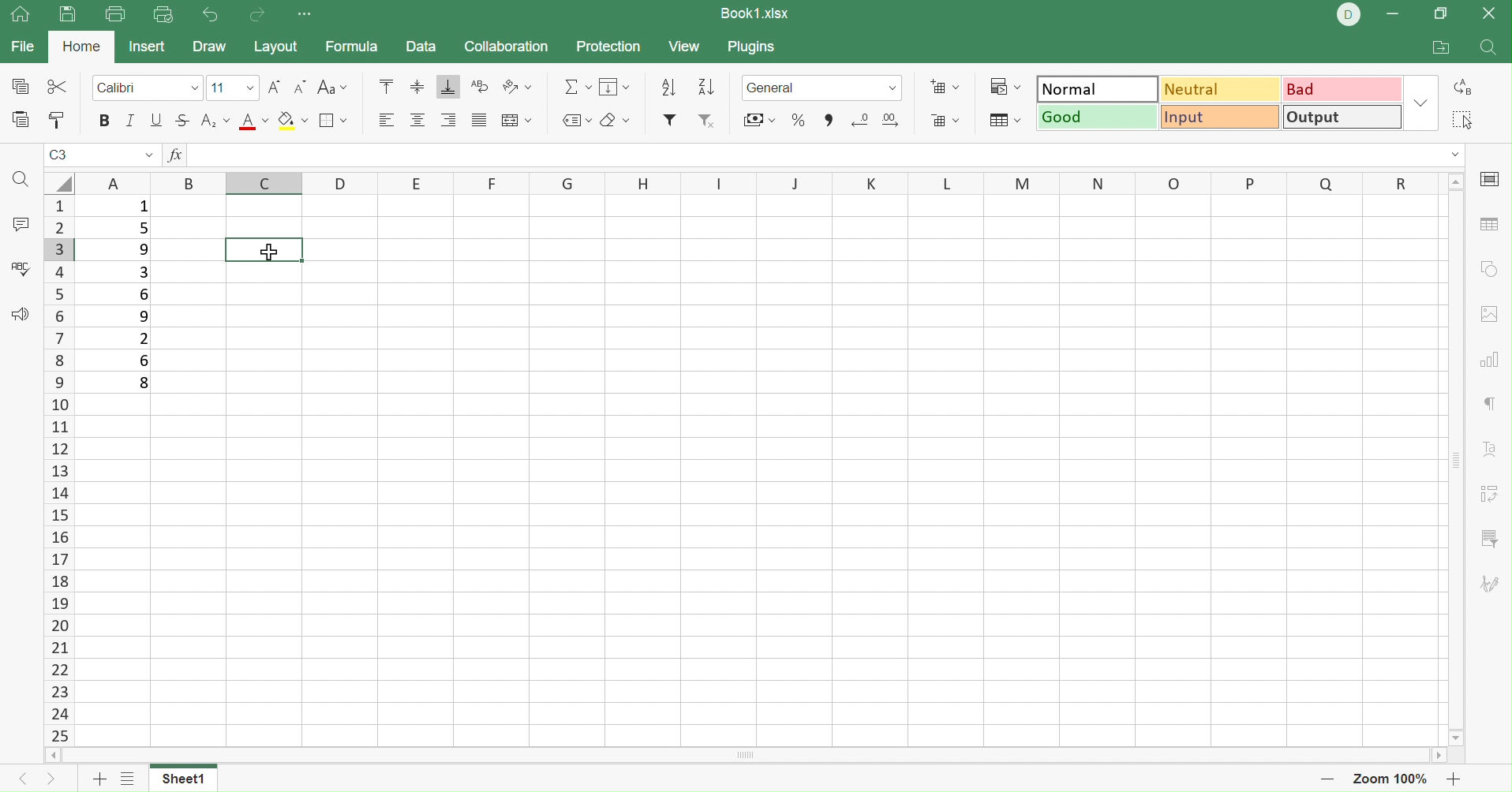 This screenshot has height=792, width=1512. What do you see at coordinates (507, 46) in the screenshot?
I see `Collaboration` at bounding box center [507, 46].